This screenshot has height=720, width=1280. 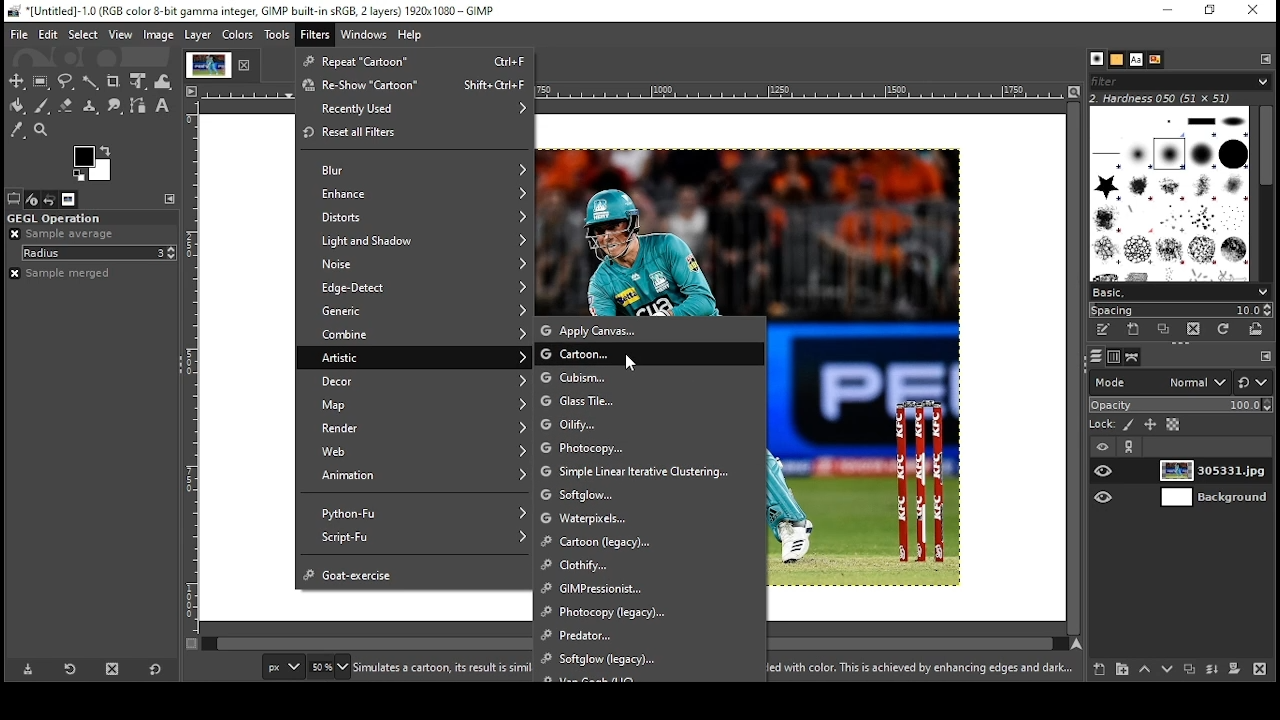 I want to click on clone formatting tool, so click(x=90, y=106).